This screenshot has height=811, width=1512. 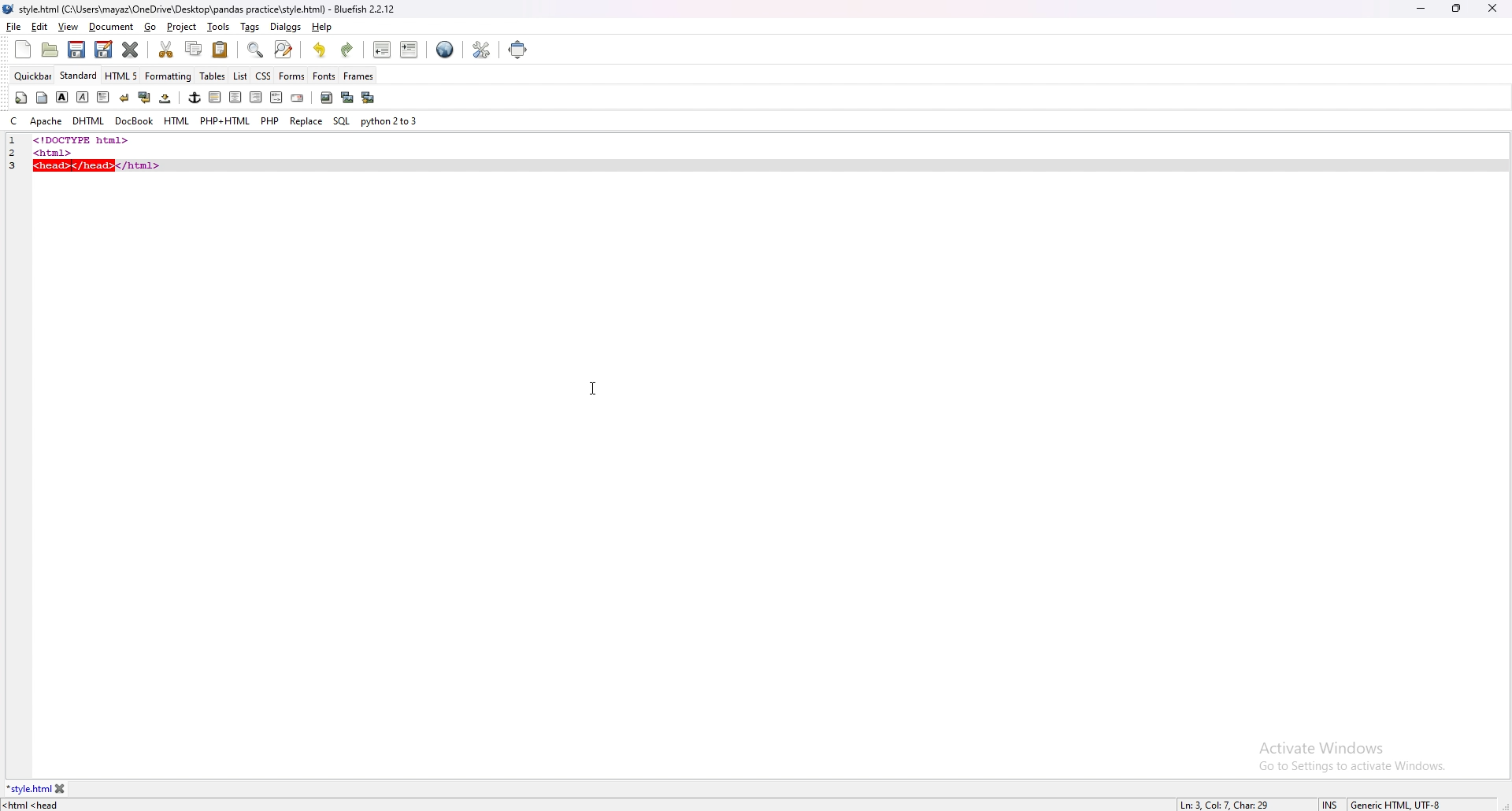 What do you see at coordinates (195, 98) in the screenshot?
I see `anchor` at bounding box center [195, 98].